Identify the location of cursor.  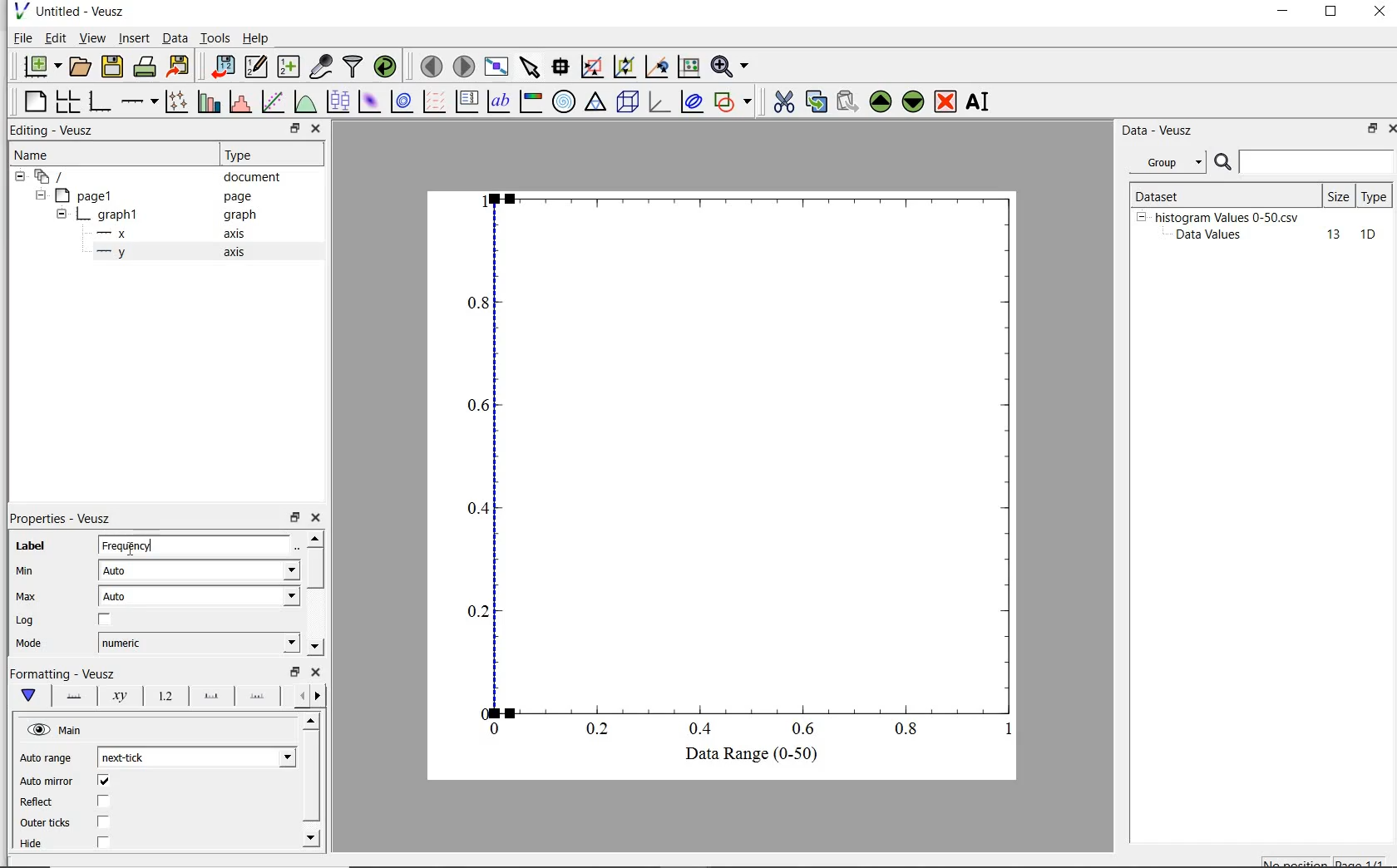
(131, 549).